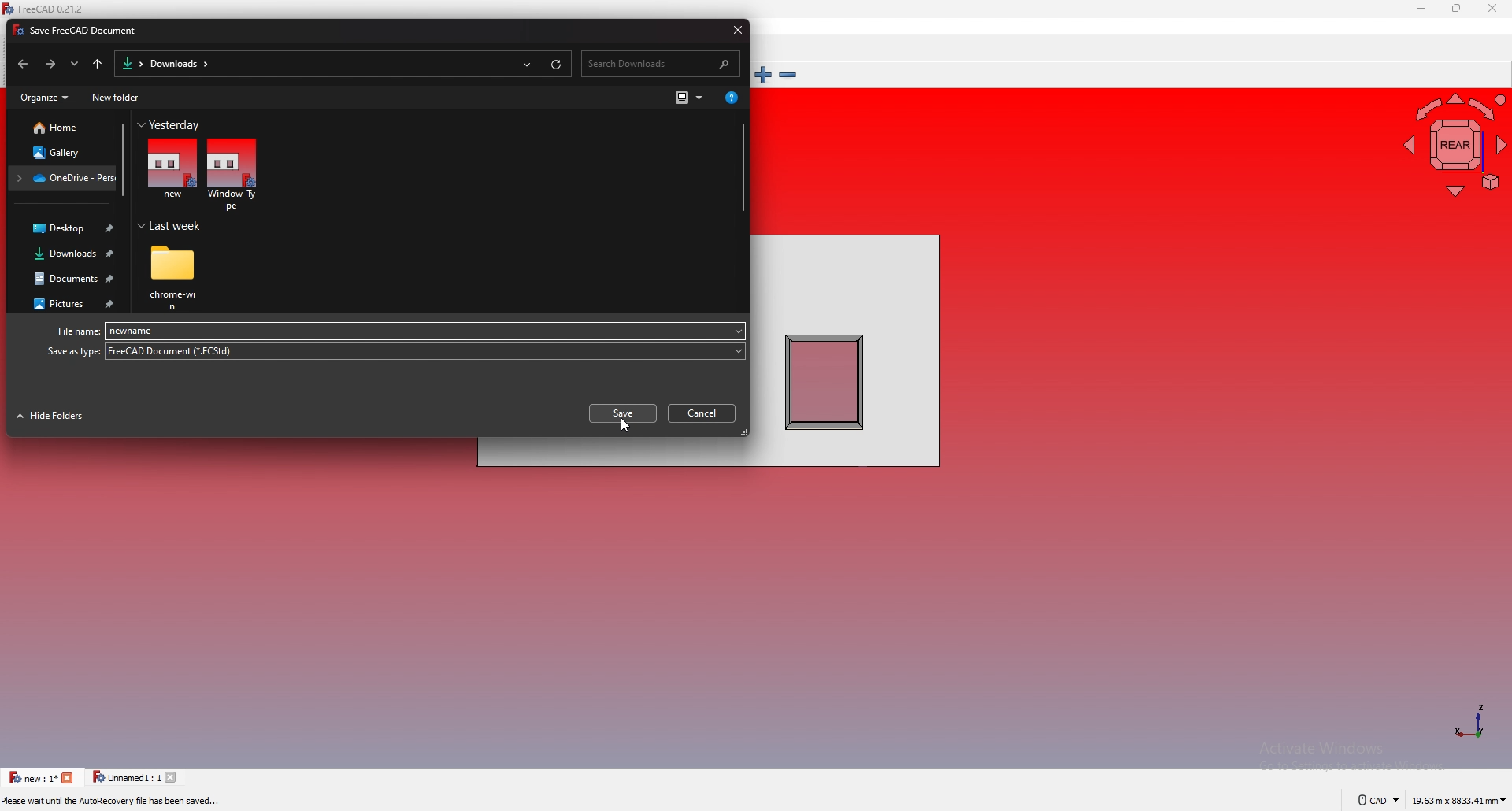 This screenshot has width=1512, height=811. Describe the element at coordinates (1492, 8) in the screenshot. I see `close` at that location.